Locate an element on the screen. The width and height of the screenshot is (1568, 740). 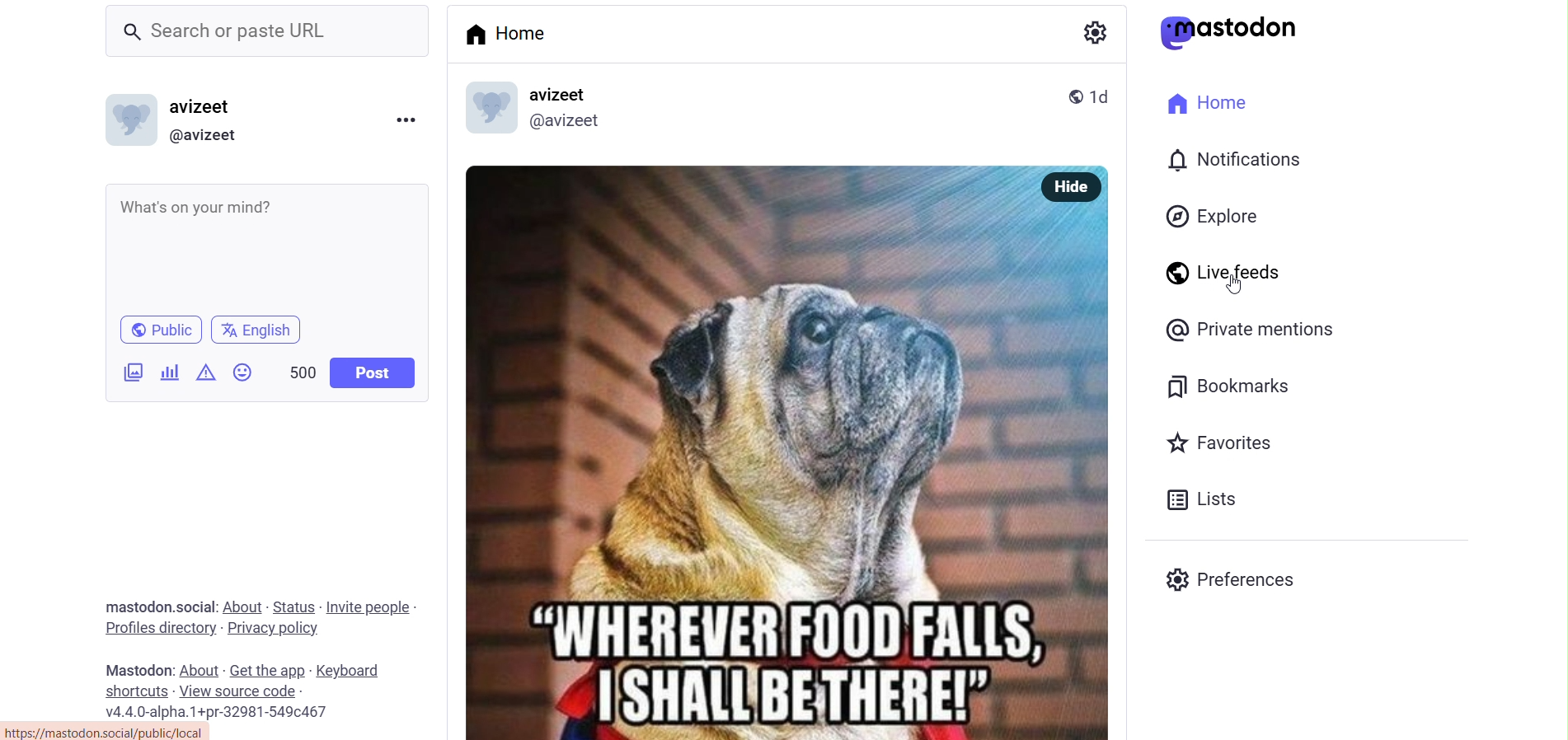
profiles is located at coordinates (158, 627).